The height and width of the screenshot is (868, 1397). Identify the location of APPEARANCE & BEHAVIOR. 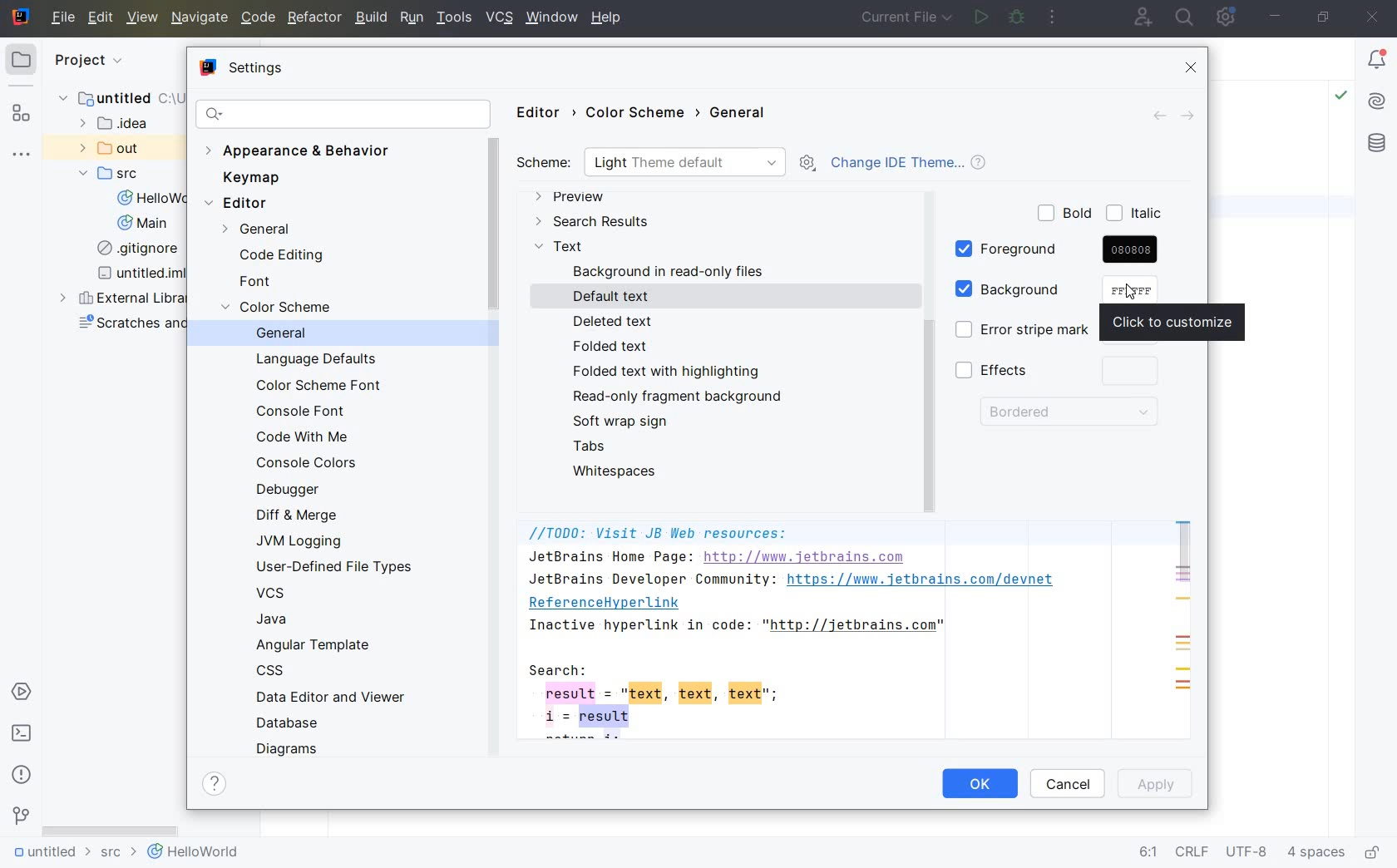
(301, 152).